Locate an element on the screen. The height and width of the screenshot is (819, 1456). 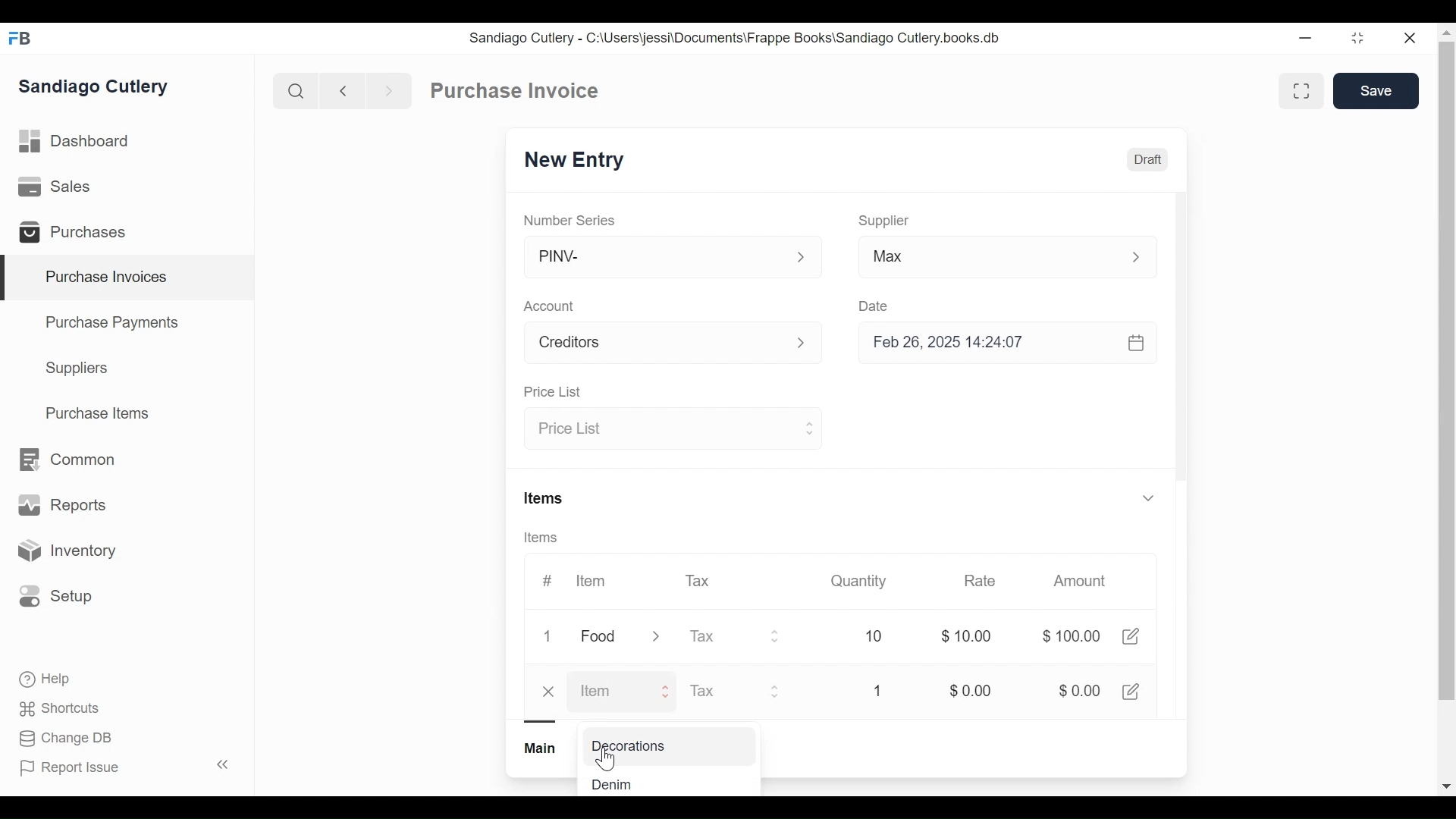
PINV- is located at coordinates (657, 257).